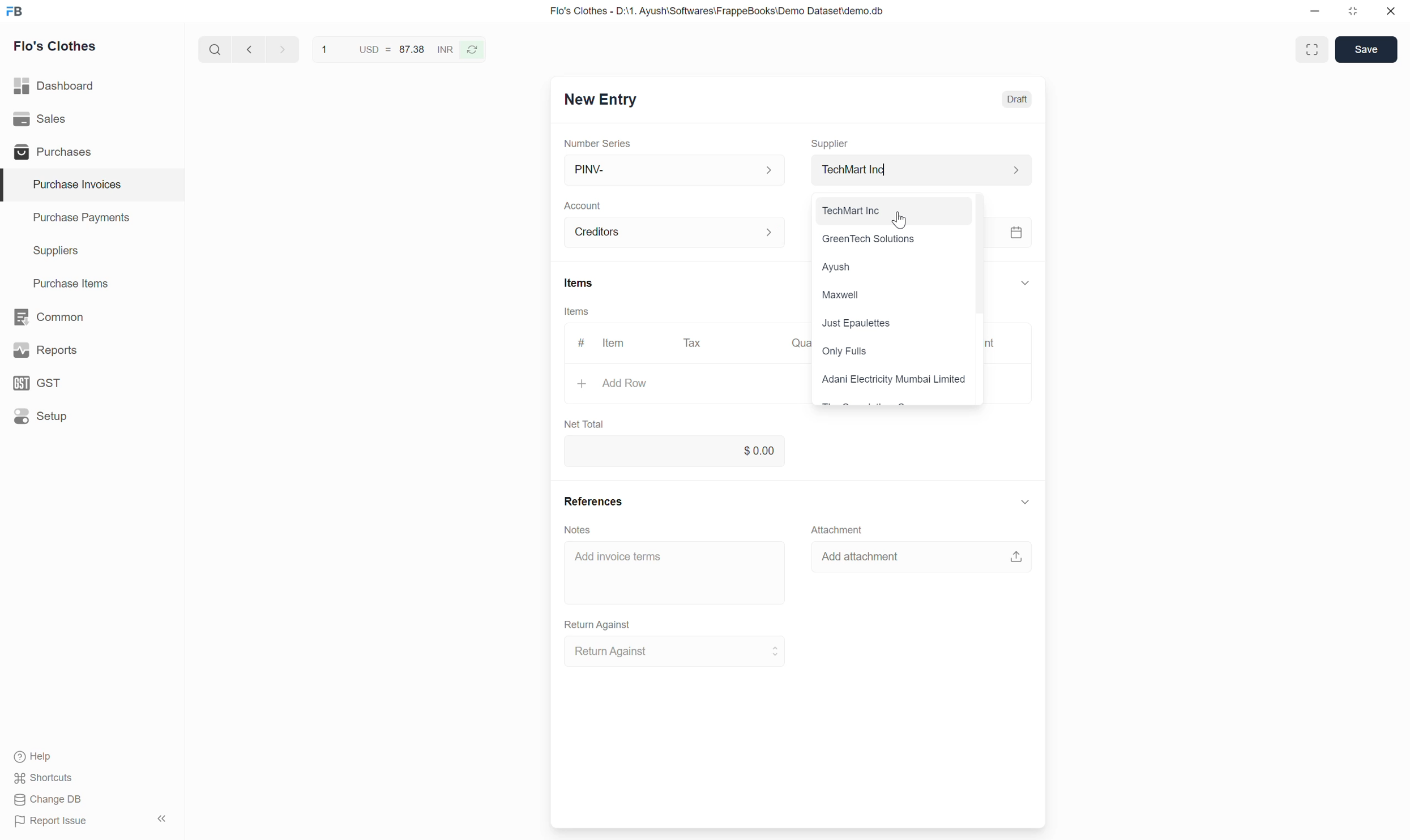  Describe the element at coordinates (613, 386) in the screenshot. I see `+ Add Row` at that location.